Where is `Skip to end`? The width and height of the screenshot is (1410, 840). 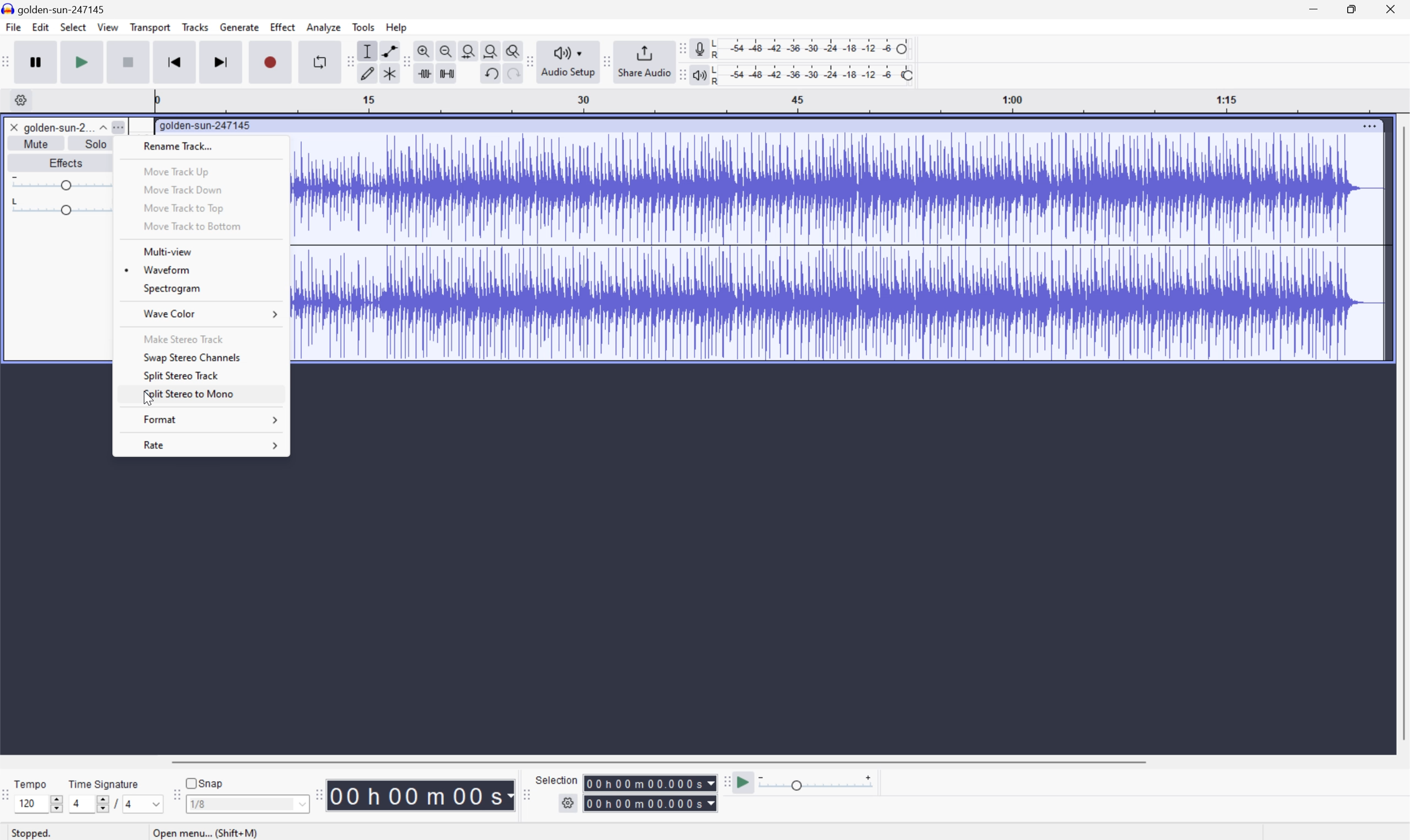 Skip to end is located at coordinates (223, 60).